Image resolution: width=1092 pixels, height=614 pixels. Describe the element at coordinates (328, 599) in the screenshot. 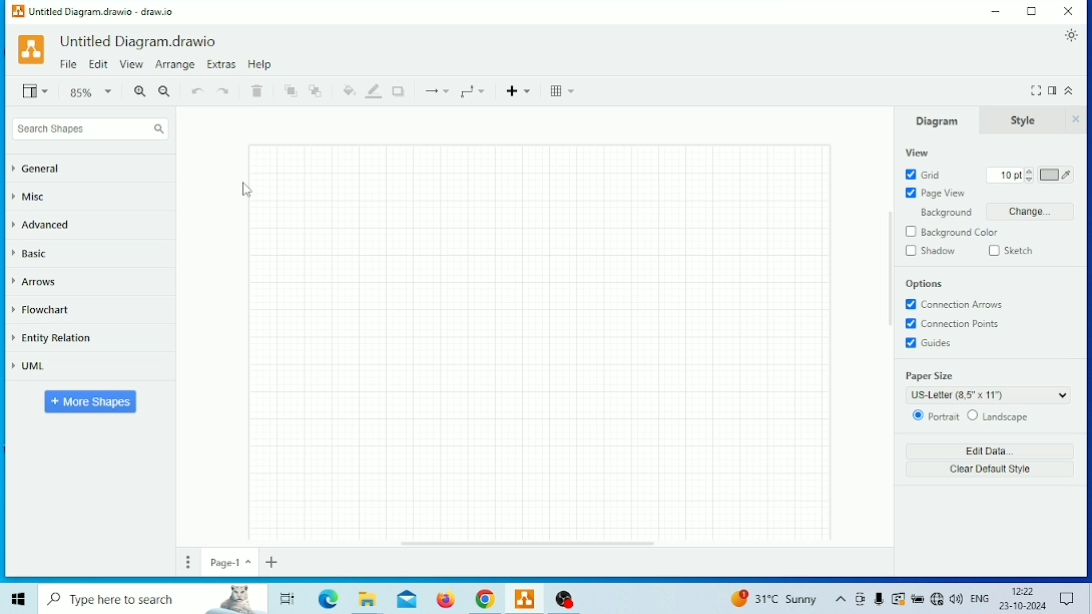

I see `Microsoft Edge` at that location.